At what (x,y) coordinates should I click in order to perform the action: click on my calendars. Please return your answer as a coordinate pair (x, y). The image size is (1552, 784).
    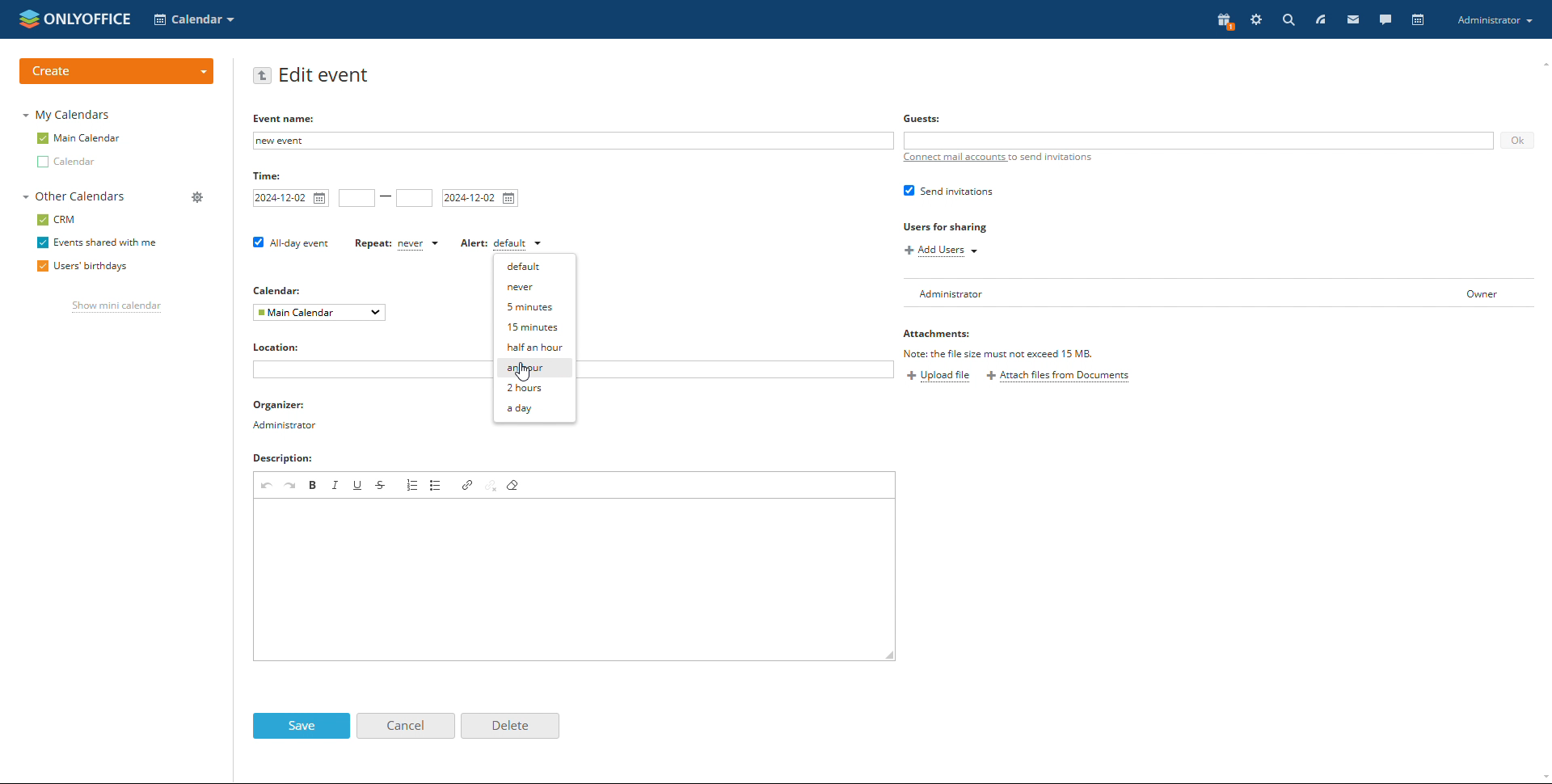
    Looking at the image, I should click on (70, 115).